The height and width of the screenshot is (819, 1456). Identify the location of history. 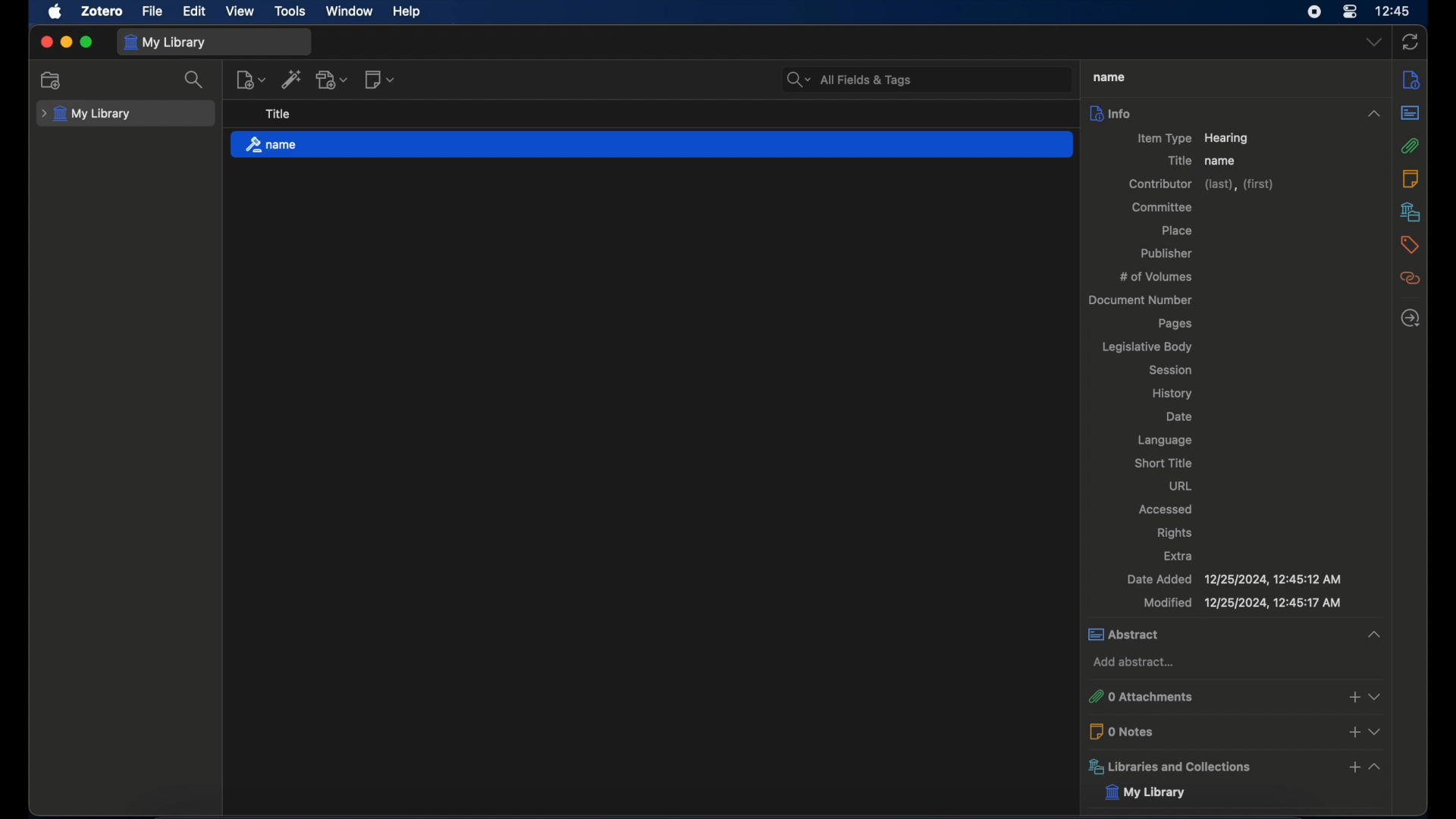
(1173, 394).